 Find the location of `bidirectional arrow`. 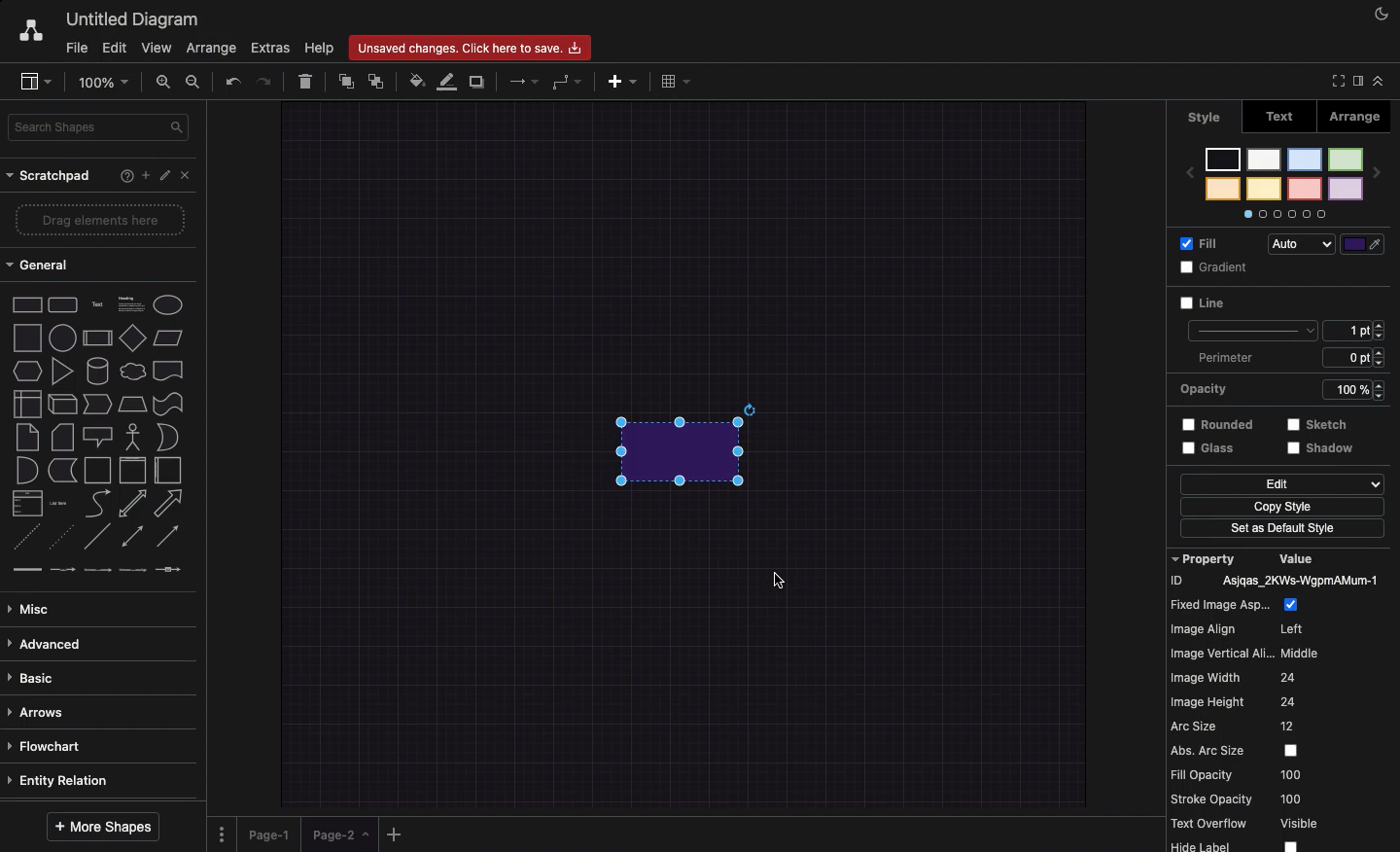

bidirectional arrow is located at coordinates (132, 503).